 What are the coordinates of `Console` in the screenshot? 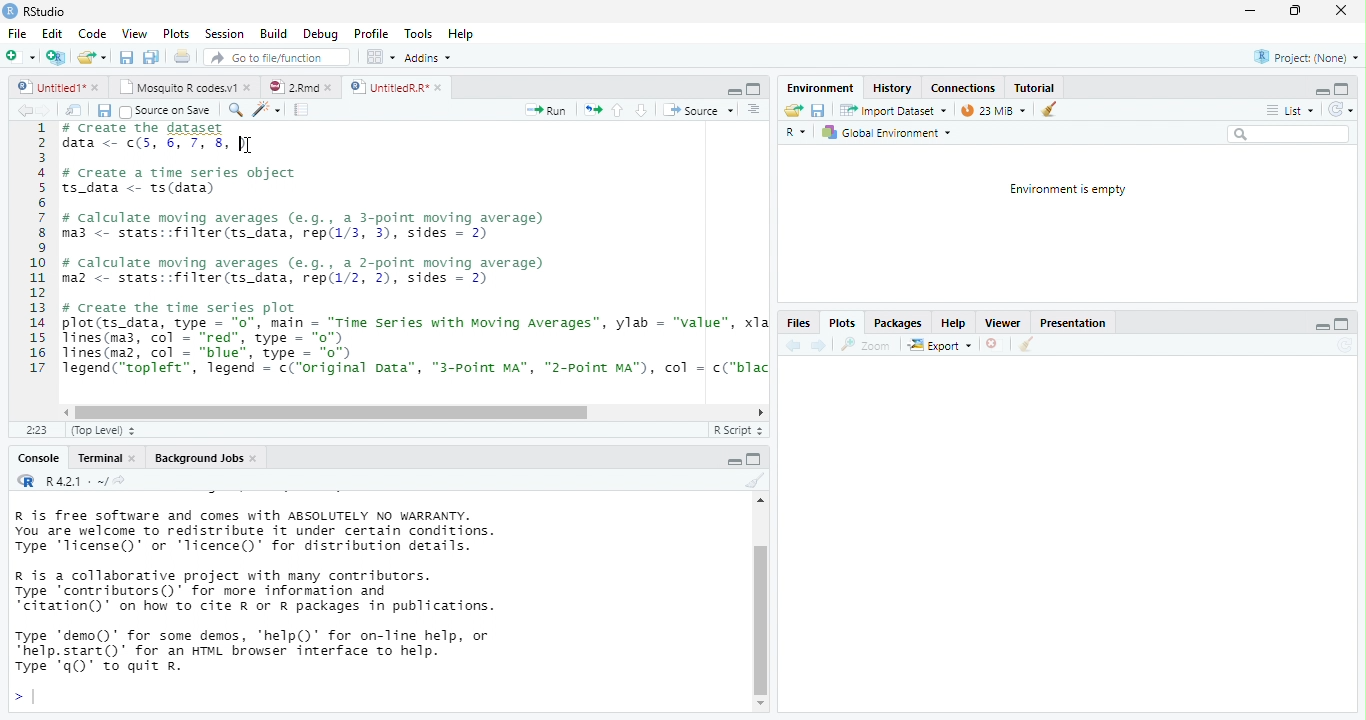 It's located at (37, 459).